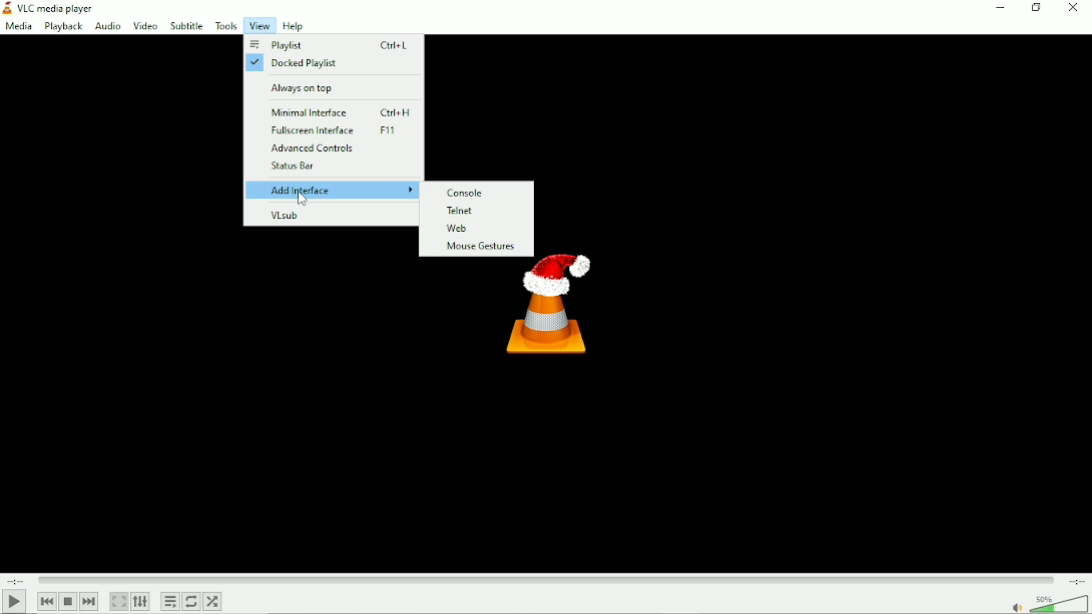 The height and width of the screenshot is (614, 1092). Describe the element at coordinates (292, 26) in the screenshot. I see `Help` at that location.